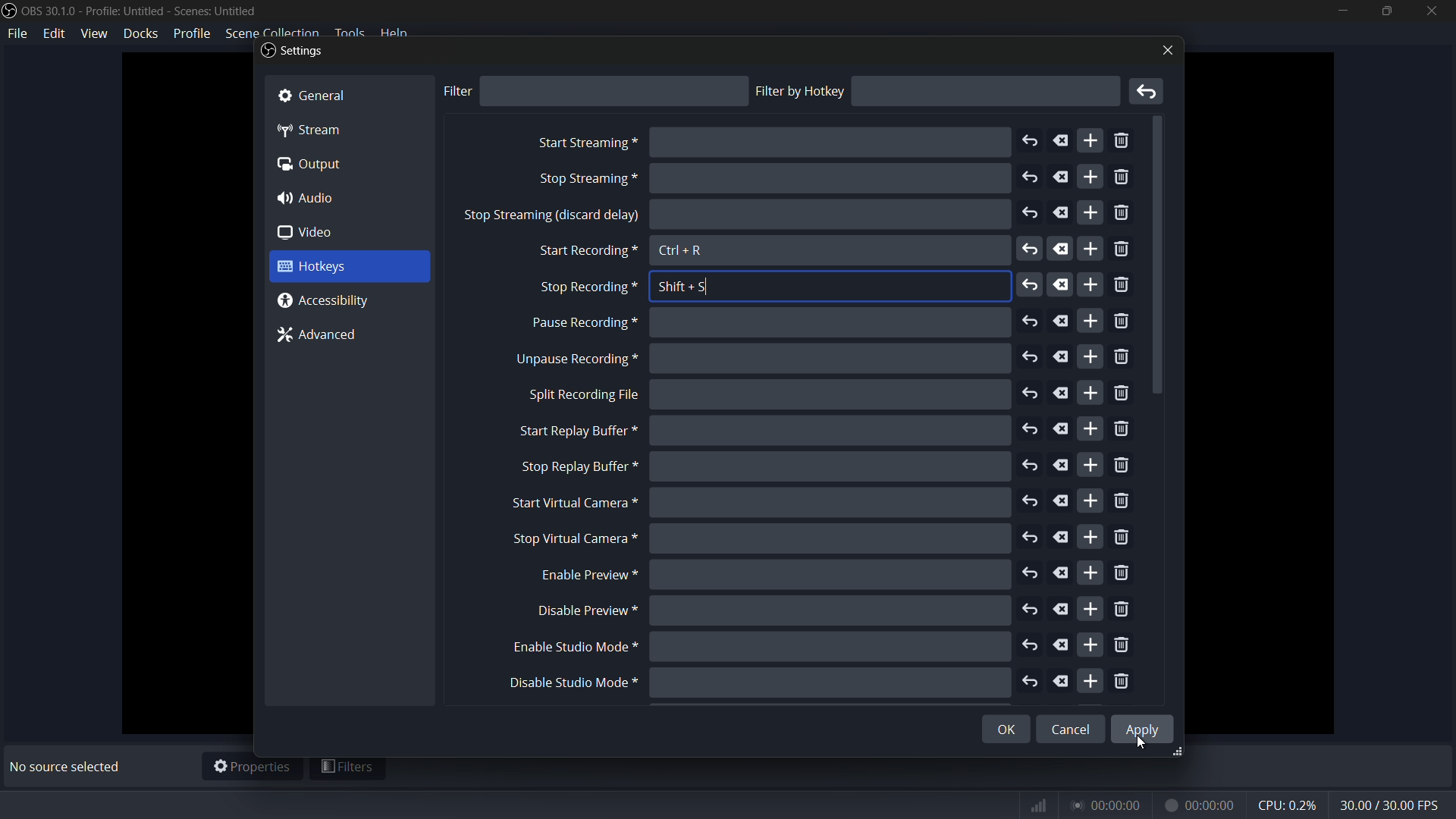 Image resolution: width=1456 pixels, height=819 pixels. I want to click on “4p Stream, so click(319, 129).